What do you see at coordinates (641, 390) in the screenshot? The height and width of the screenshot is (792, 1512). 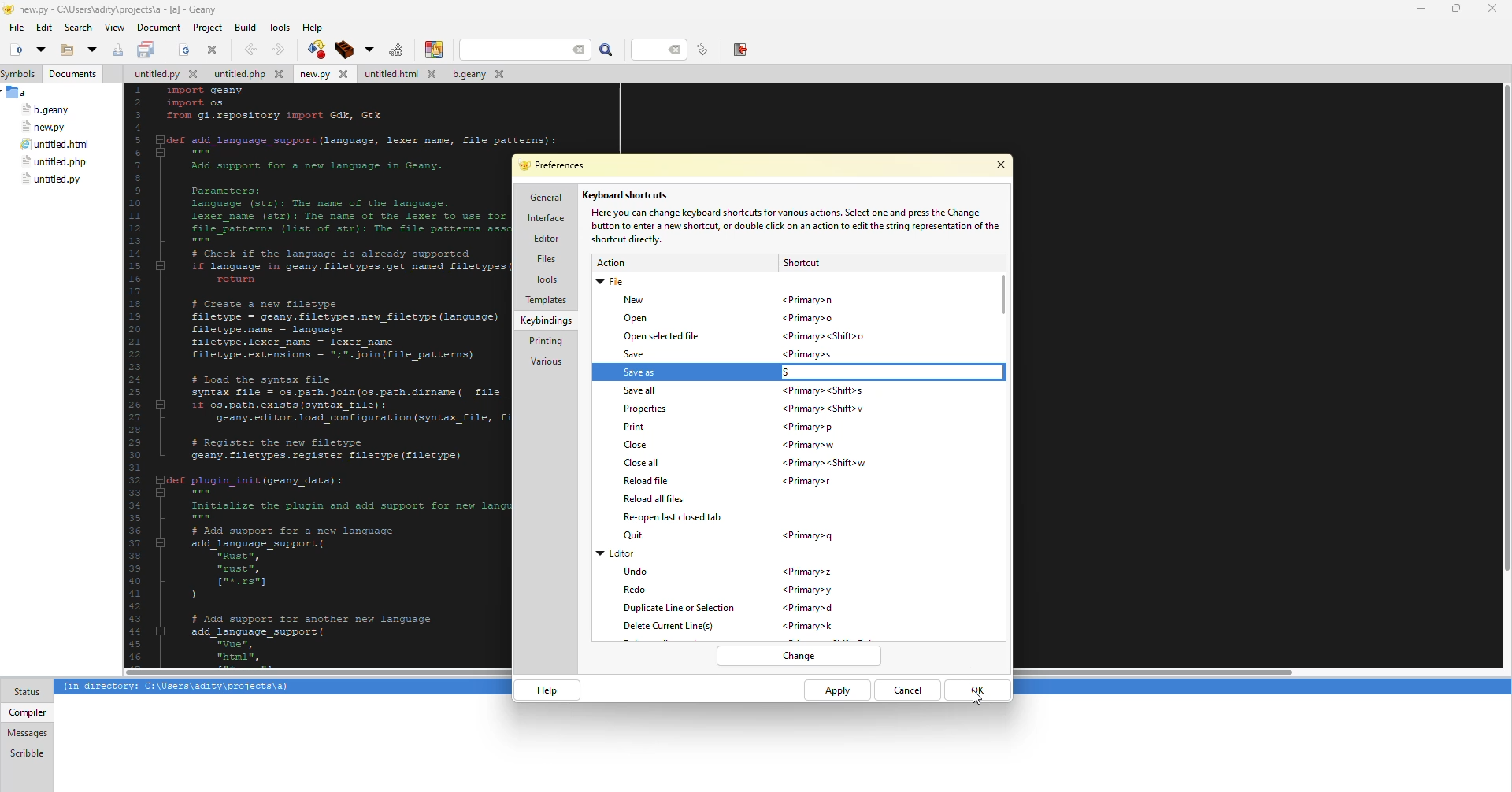 I see `save all` at bounding box center [641, 390].